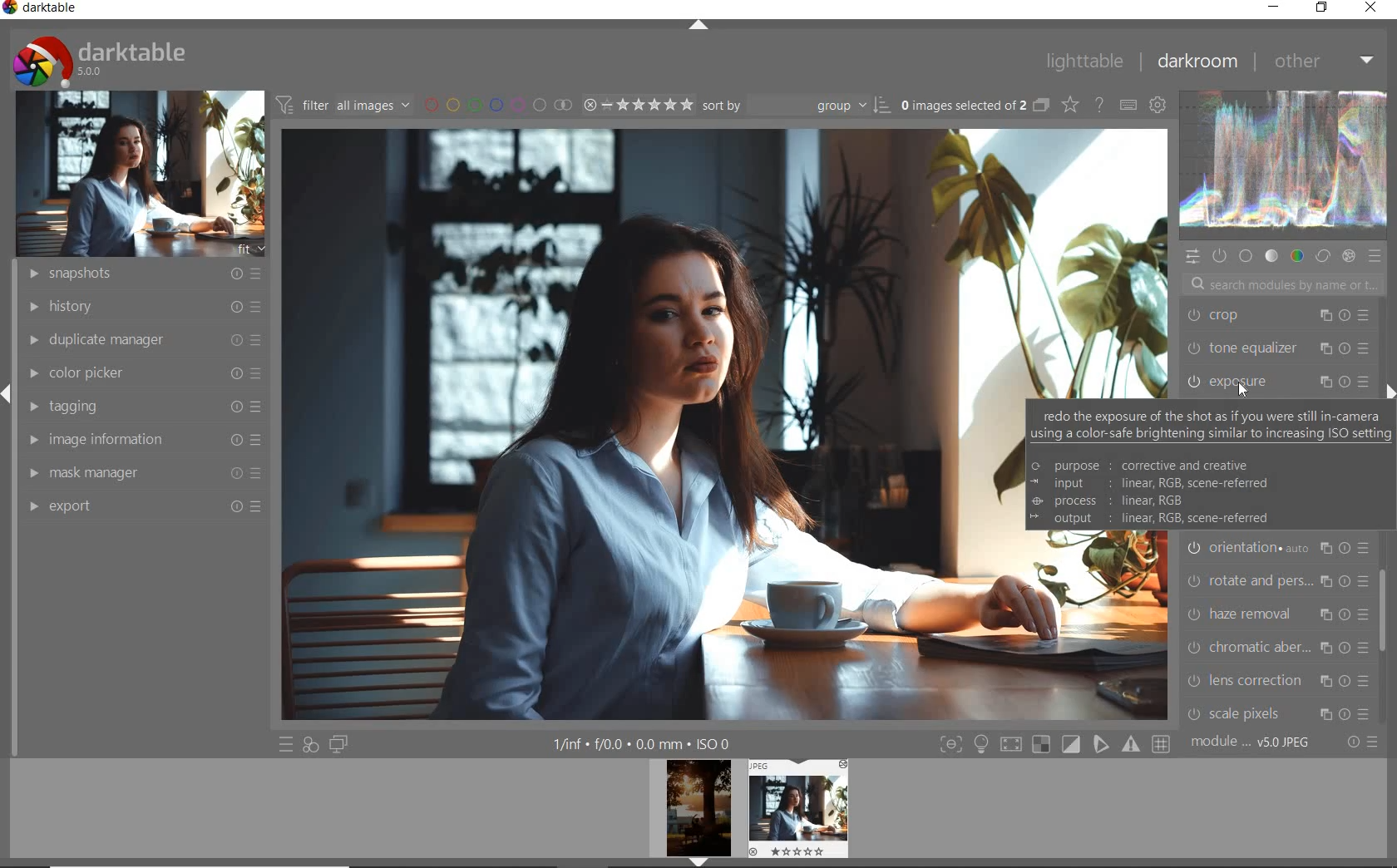 The image size is (1397, 868). I want to click on EFFECT, so click(1348, 256).